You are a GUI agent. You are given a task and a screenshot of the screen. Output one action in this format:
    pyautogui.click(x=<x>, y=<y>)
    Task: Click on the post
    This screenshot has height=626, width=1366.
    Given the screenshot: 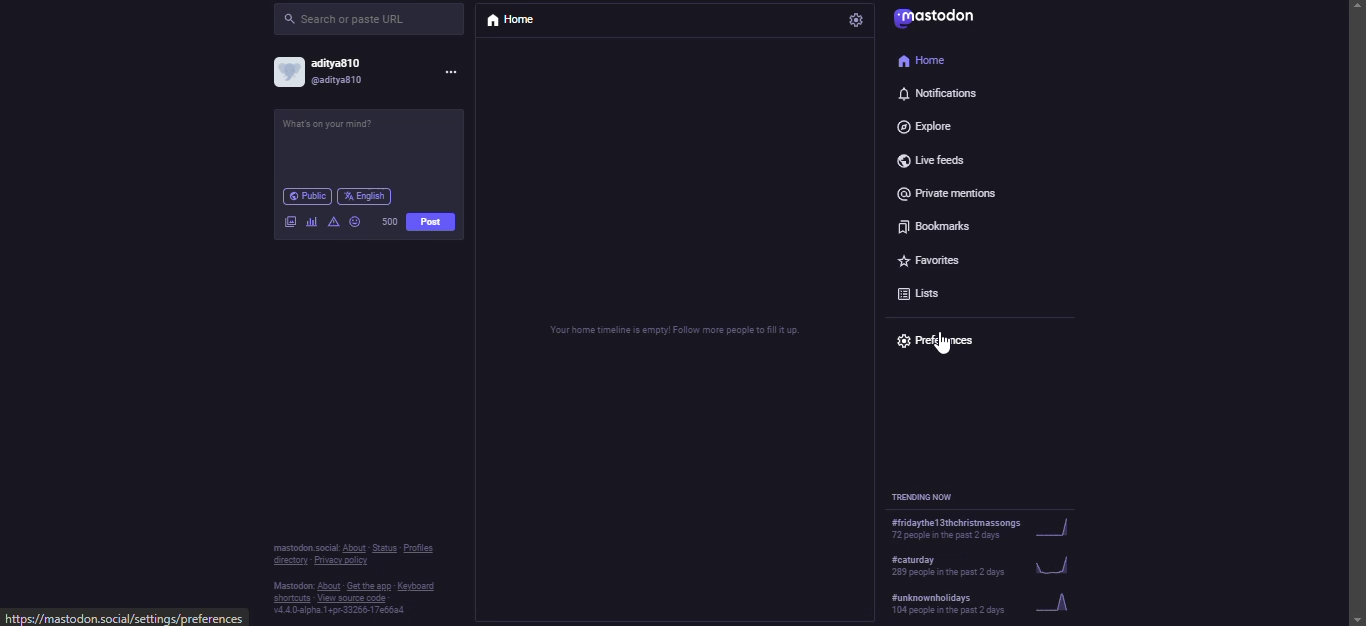 What is the action you would take?
    pyautogui.click(x=347, y=127)
    